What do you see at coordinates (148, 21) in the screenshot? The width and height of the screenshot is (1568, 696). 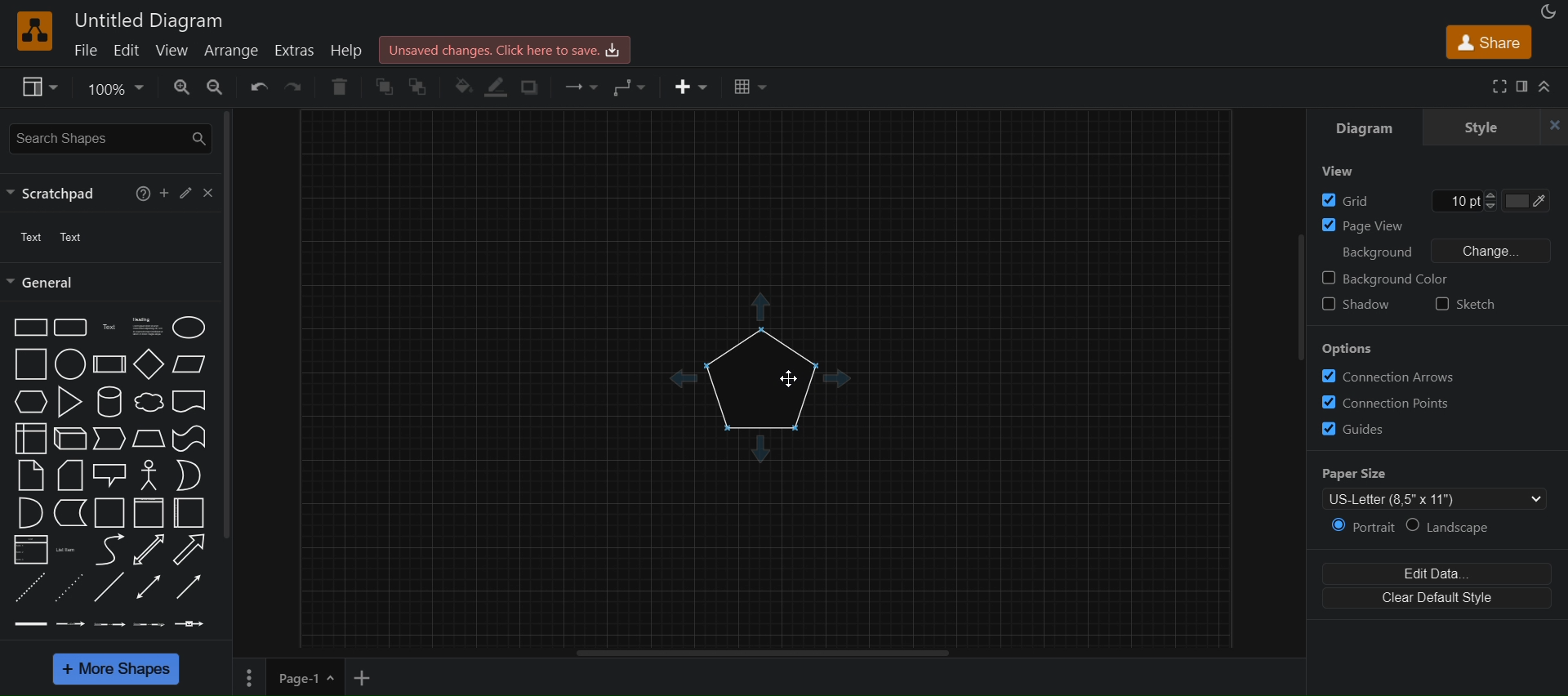 I see `Untitled diagram - project title` at bounding box center [148, 21].